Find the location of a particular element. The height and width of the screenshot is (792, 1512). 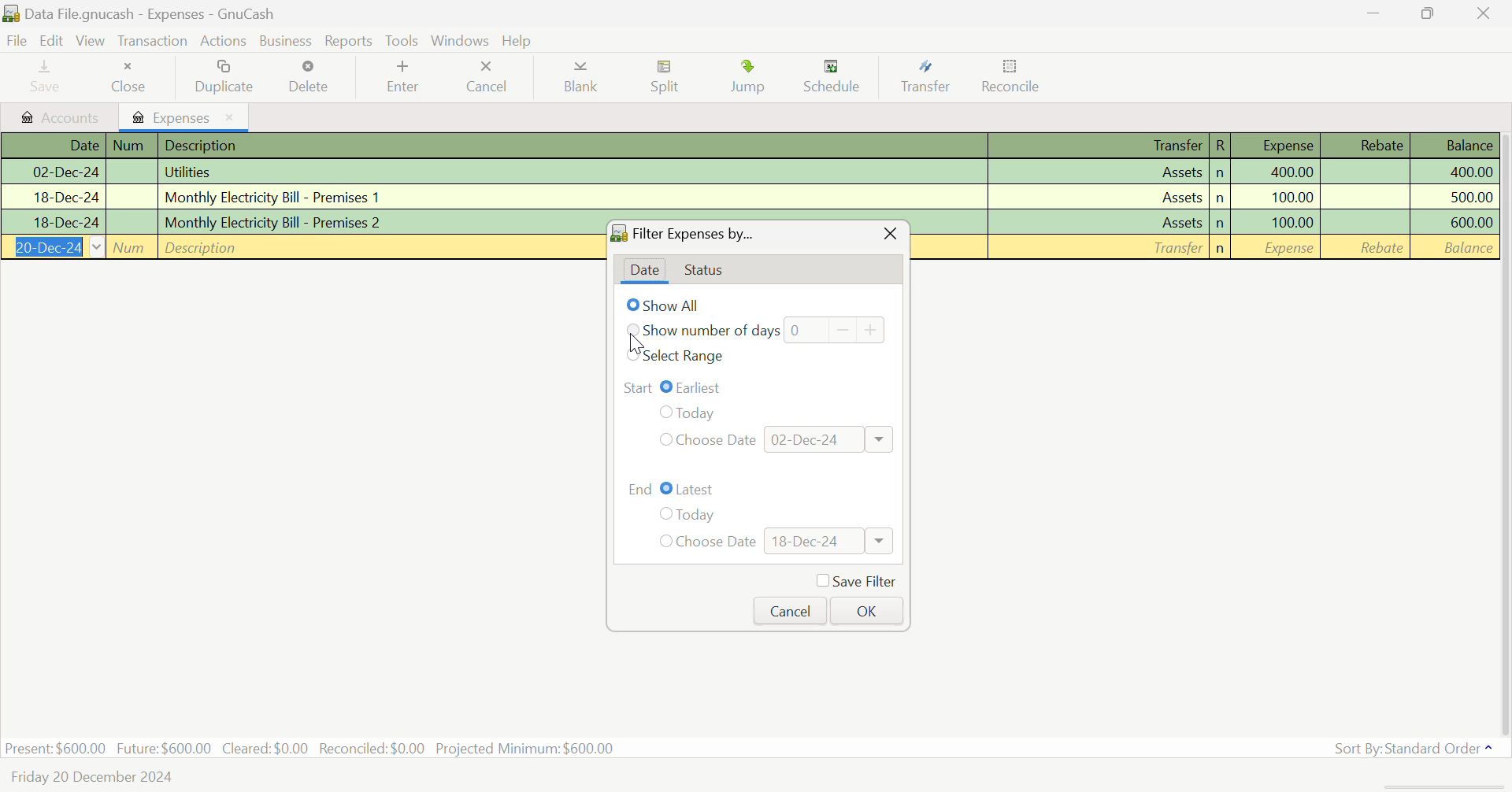

Business is located at coordinates (287, 41).